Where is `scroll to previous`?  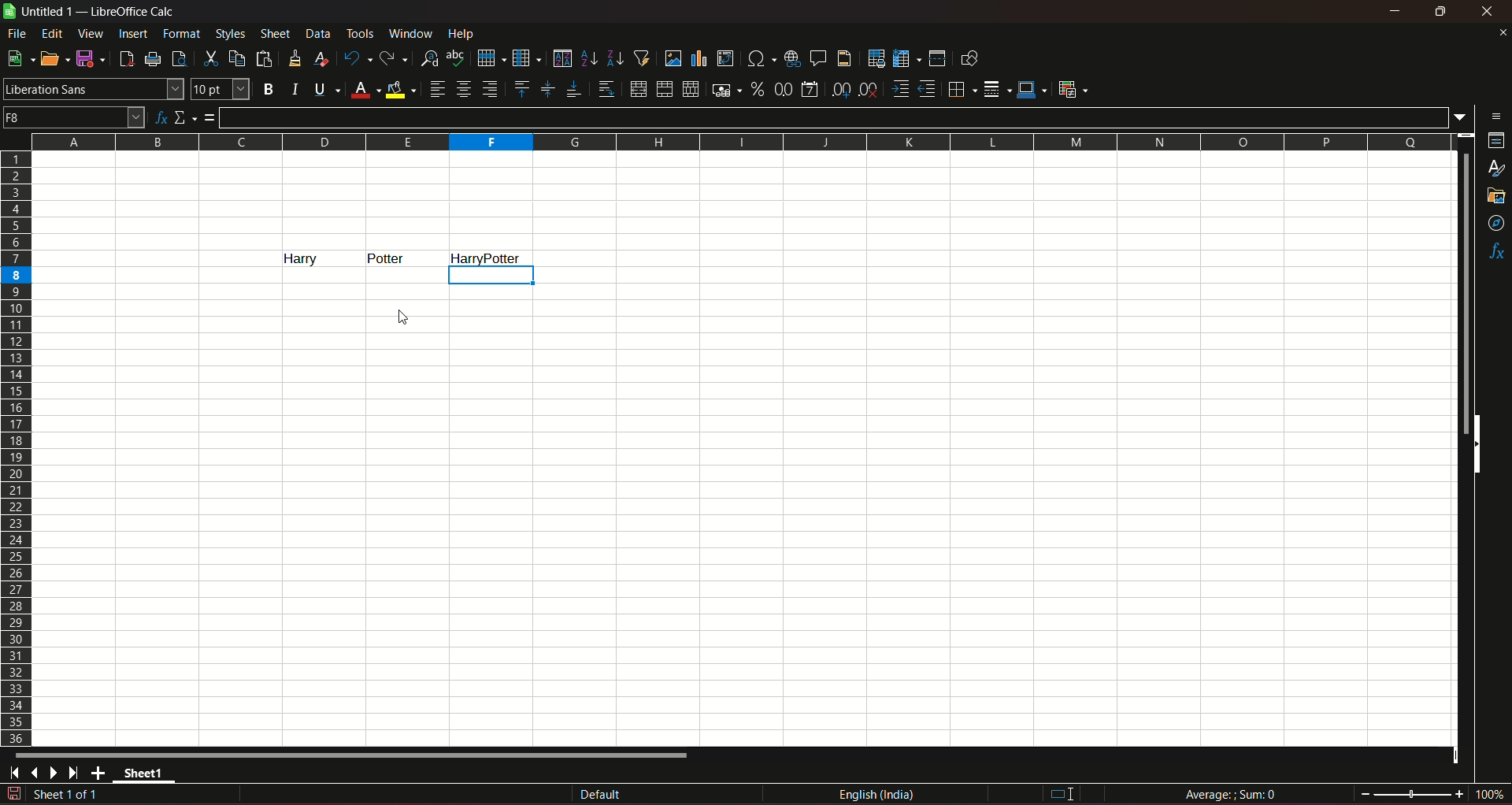
scroll to previous is located at coordinates (36, 774).